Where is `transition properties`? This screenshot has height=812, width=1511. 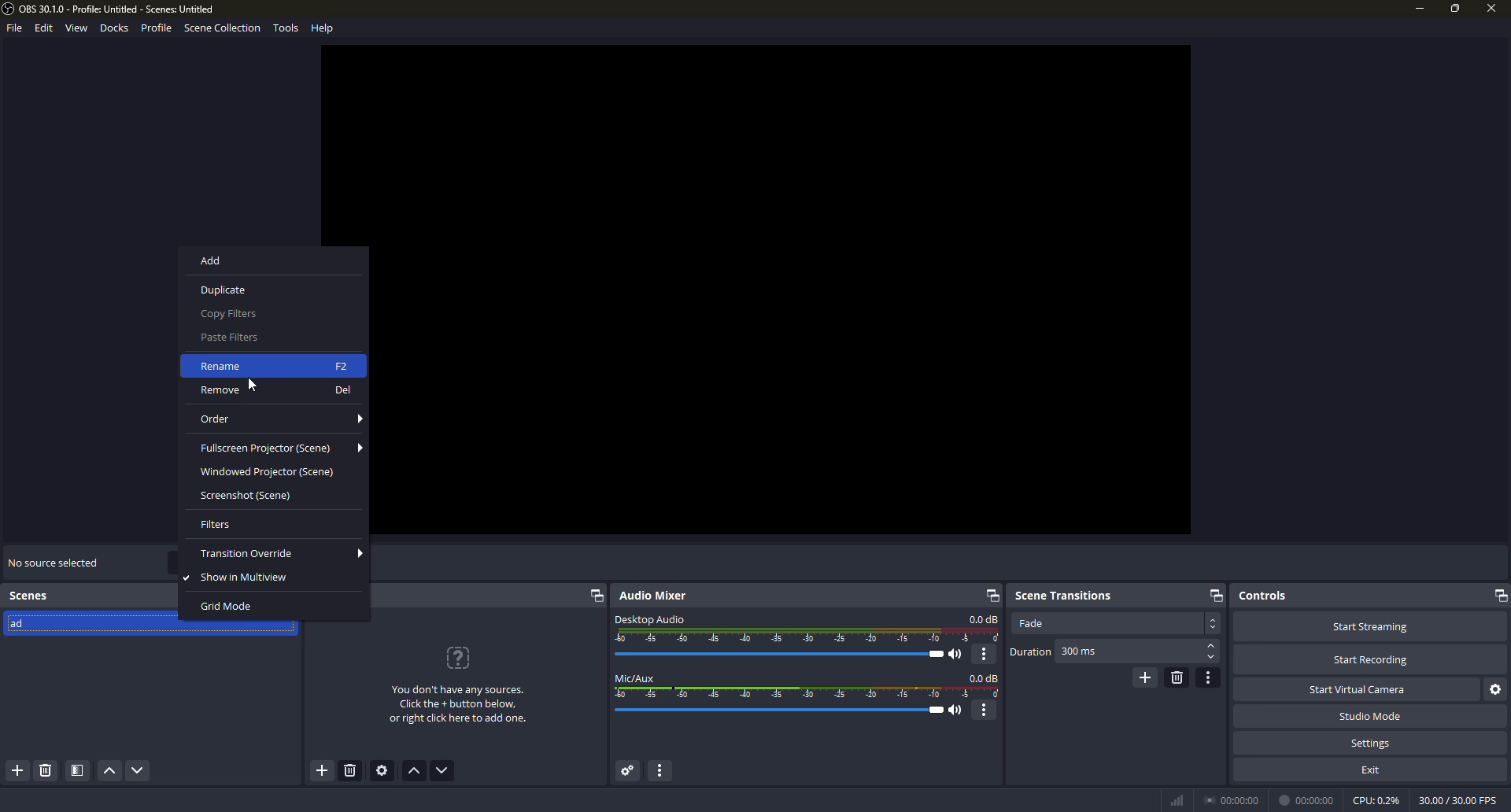
transition properties is located at coordinates (1210, 677).